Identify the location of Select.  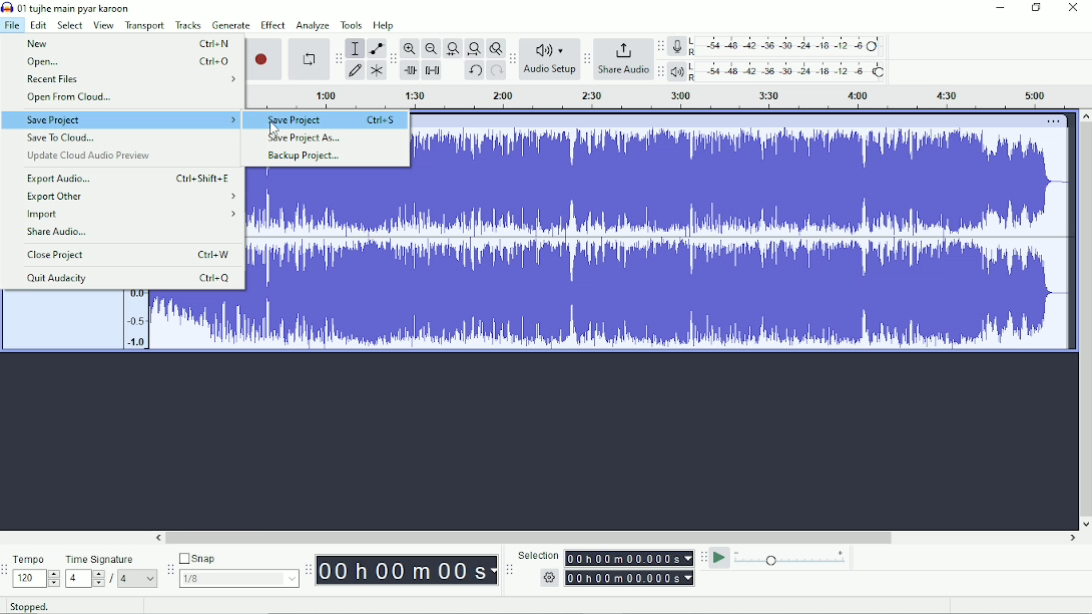
(69, 25).